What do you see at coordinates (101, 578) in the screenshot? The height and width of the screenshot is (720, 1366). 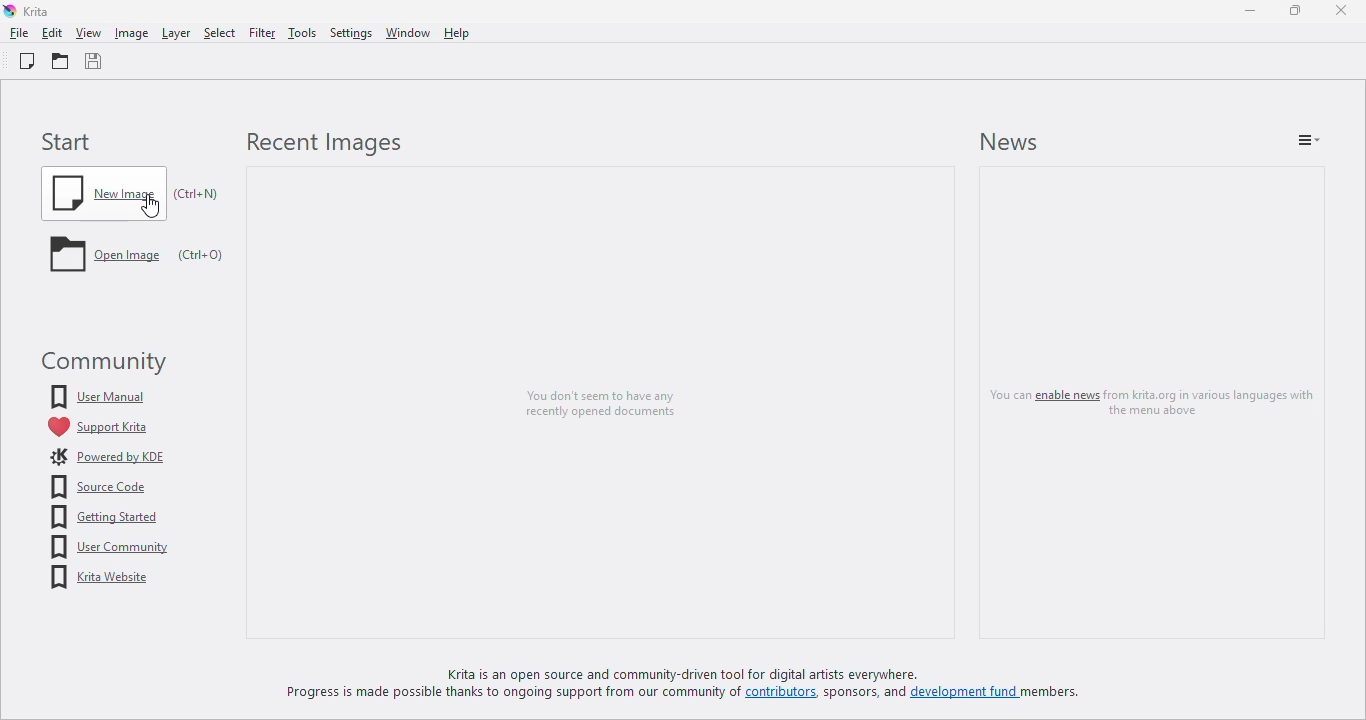 I see `krita website` at bounding box center [101, 578].